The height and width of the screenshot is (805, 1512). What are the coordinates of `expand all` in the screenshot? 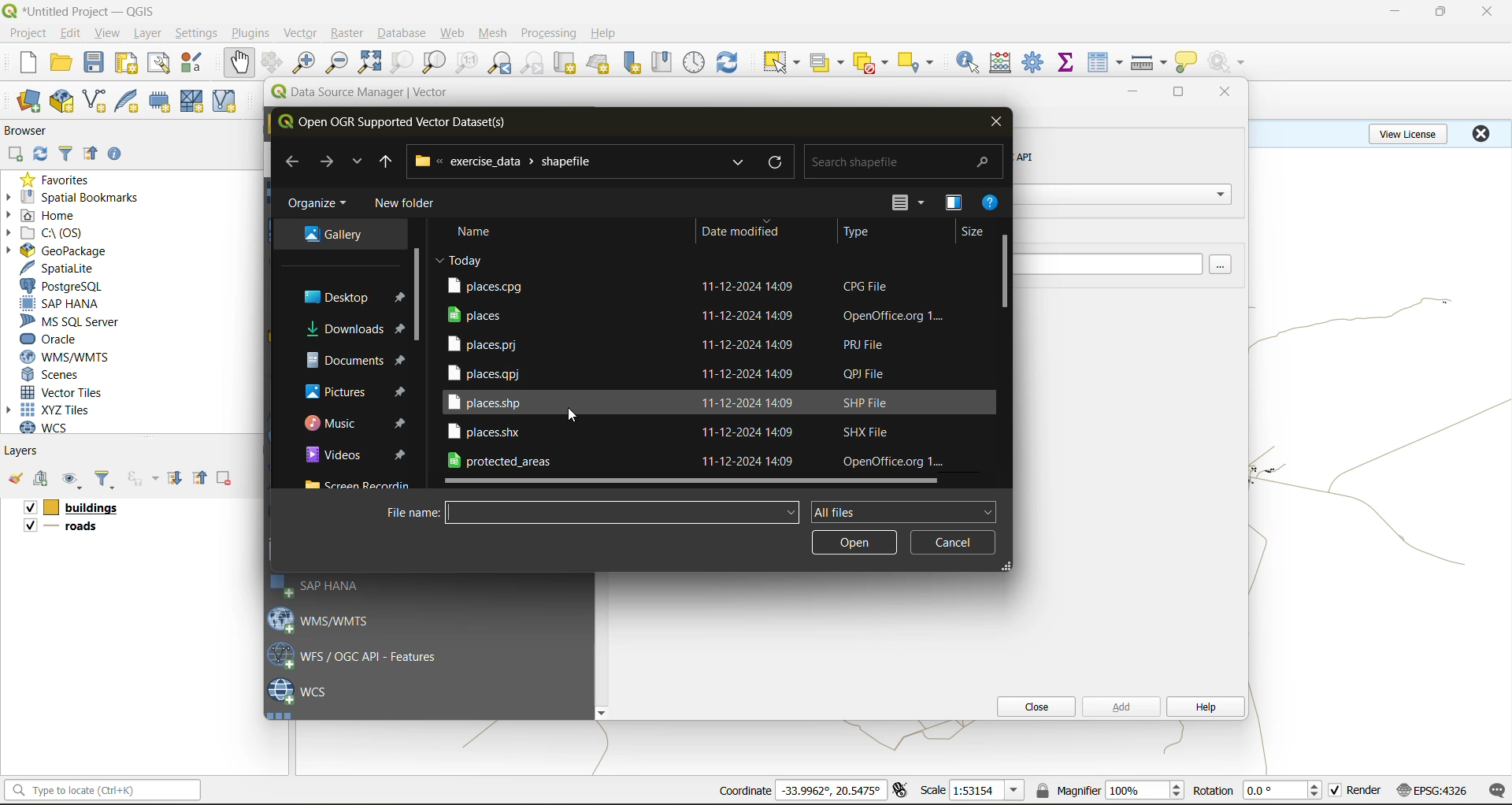 It's located at (175, 478).